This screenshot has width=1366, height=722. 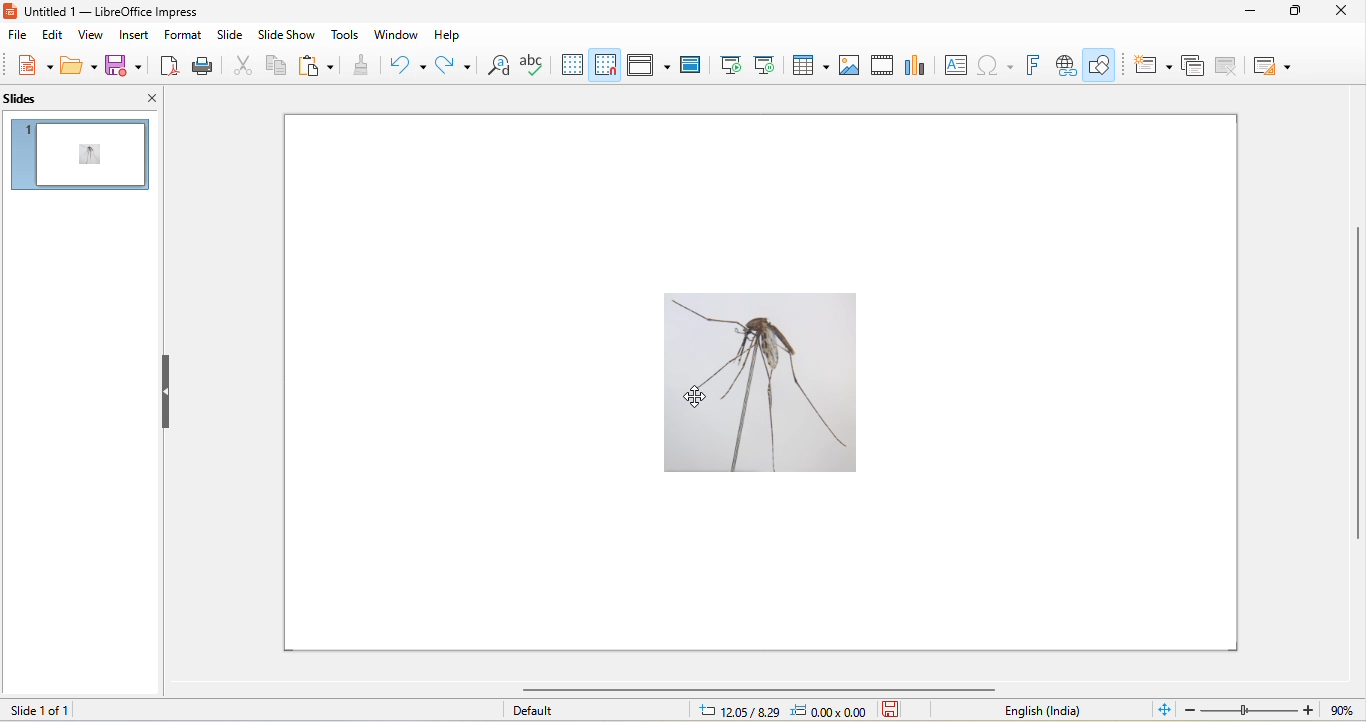 What do you see at coordinates (604, 65) in the screenshot?
I see `snap to grid` at bounding box center [604, 65].